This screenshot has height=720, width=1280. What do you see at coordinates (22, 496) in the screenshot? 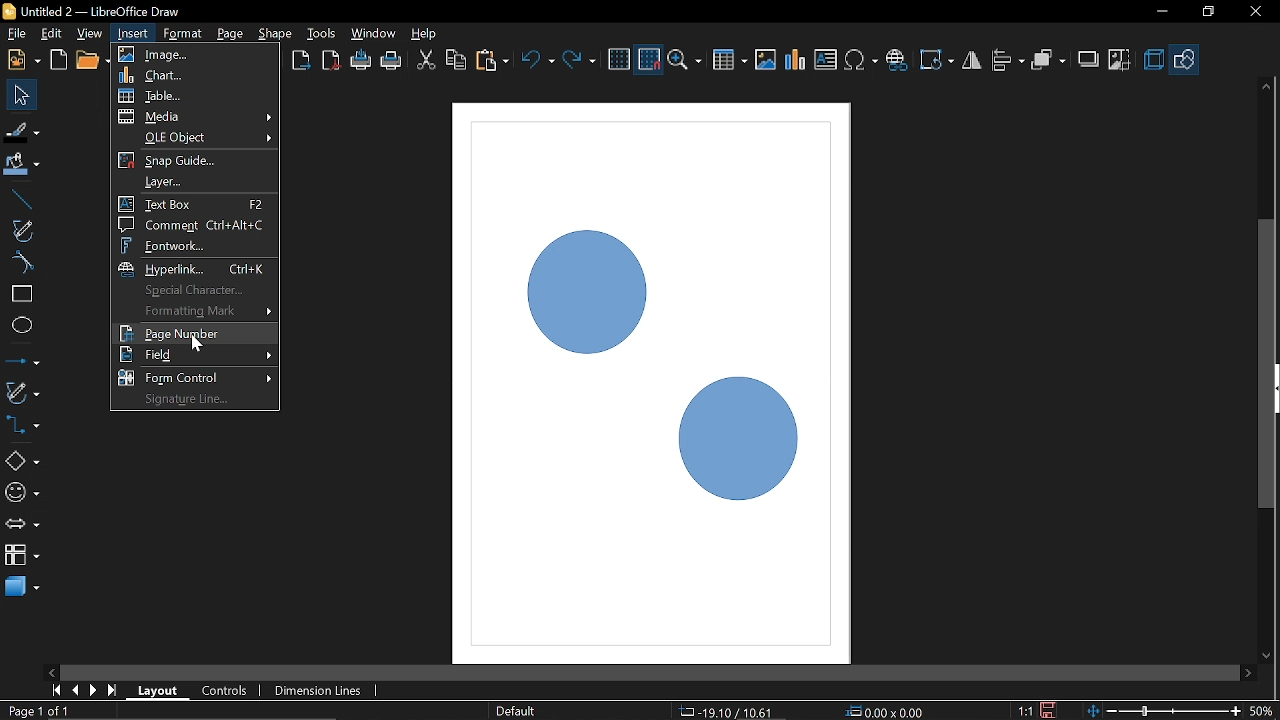
I see `symbol shapes` at bounding box center [22, 496].